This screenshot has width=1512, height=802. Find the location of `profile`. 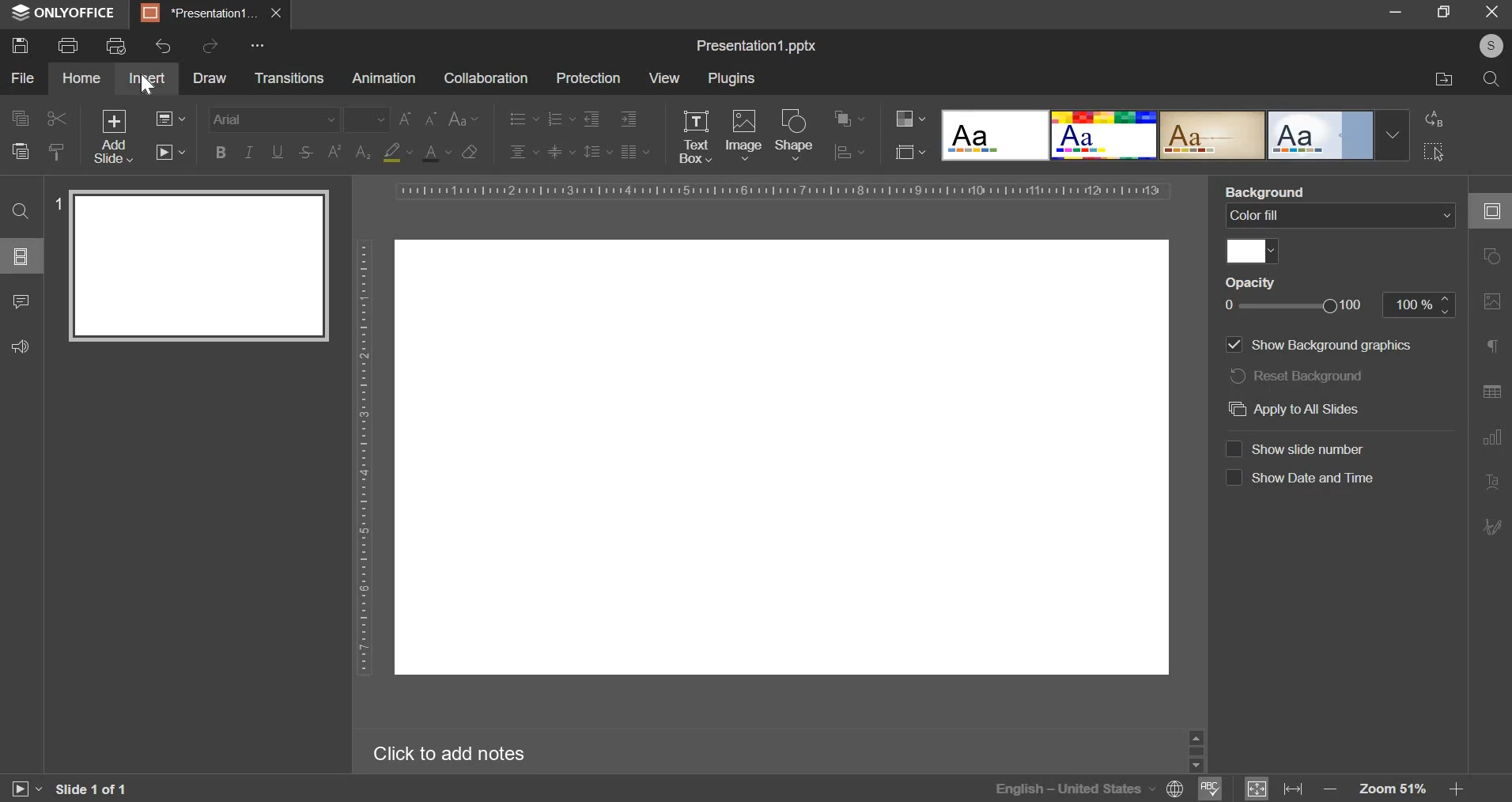

profile is located at coordinates (1490, 44).